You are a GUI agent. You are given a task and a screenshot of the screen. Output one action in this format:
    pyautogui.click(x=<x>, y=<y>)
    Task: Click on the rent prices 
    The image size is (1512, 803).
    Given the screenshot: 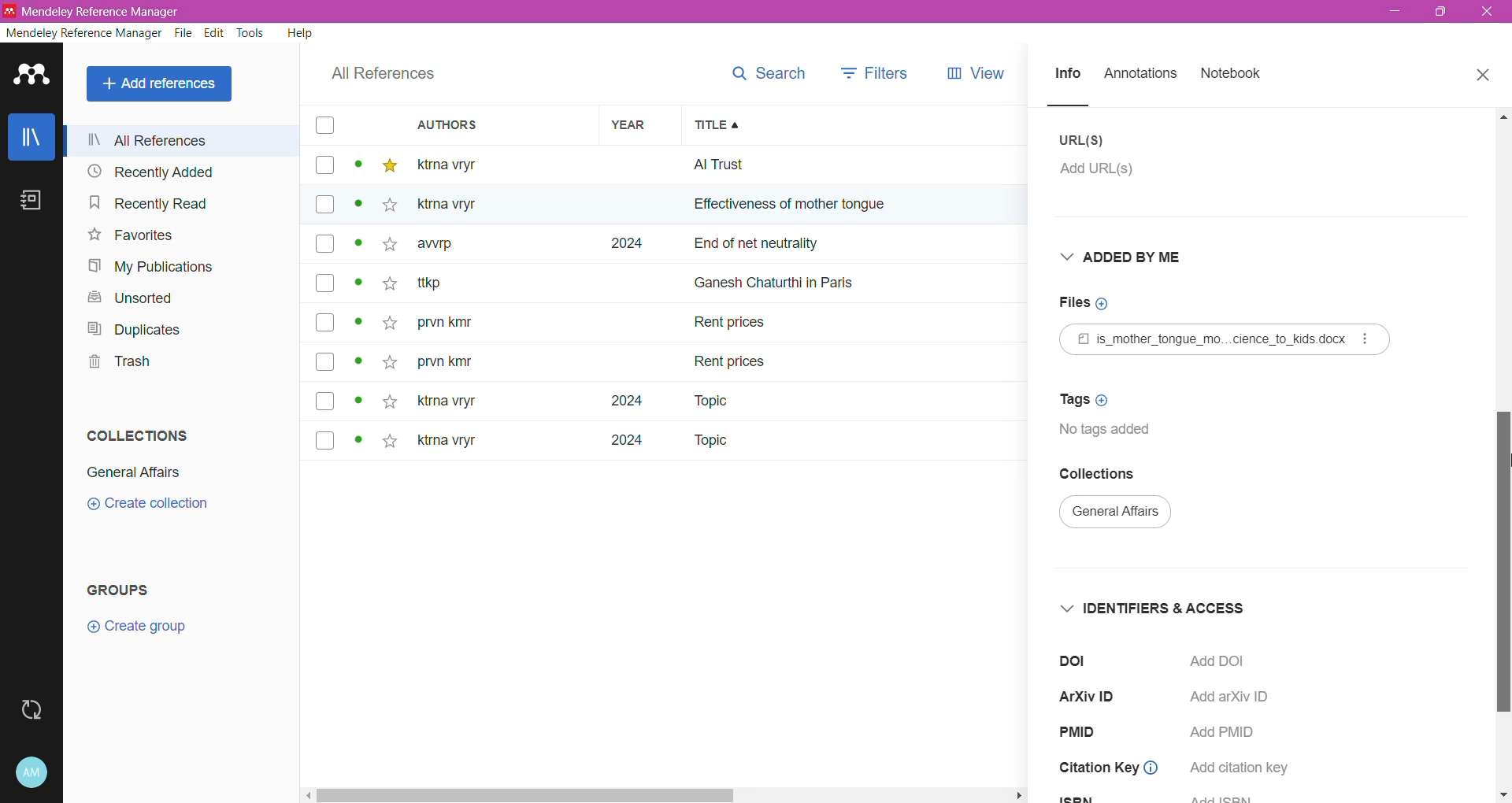 What is the action you would take?
    pyautogui.click(x=732, y=359)
    